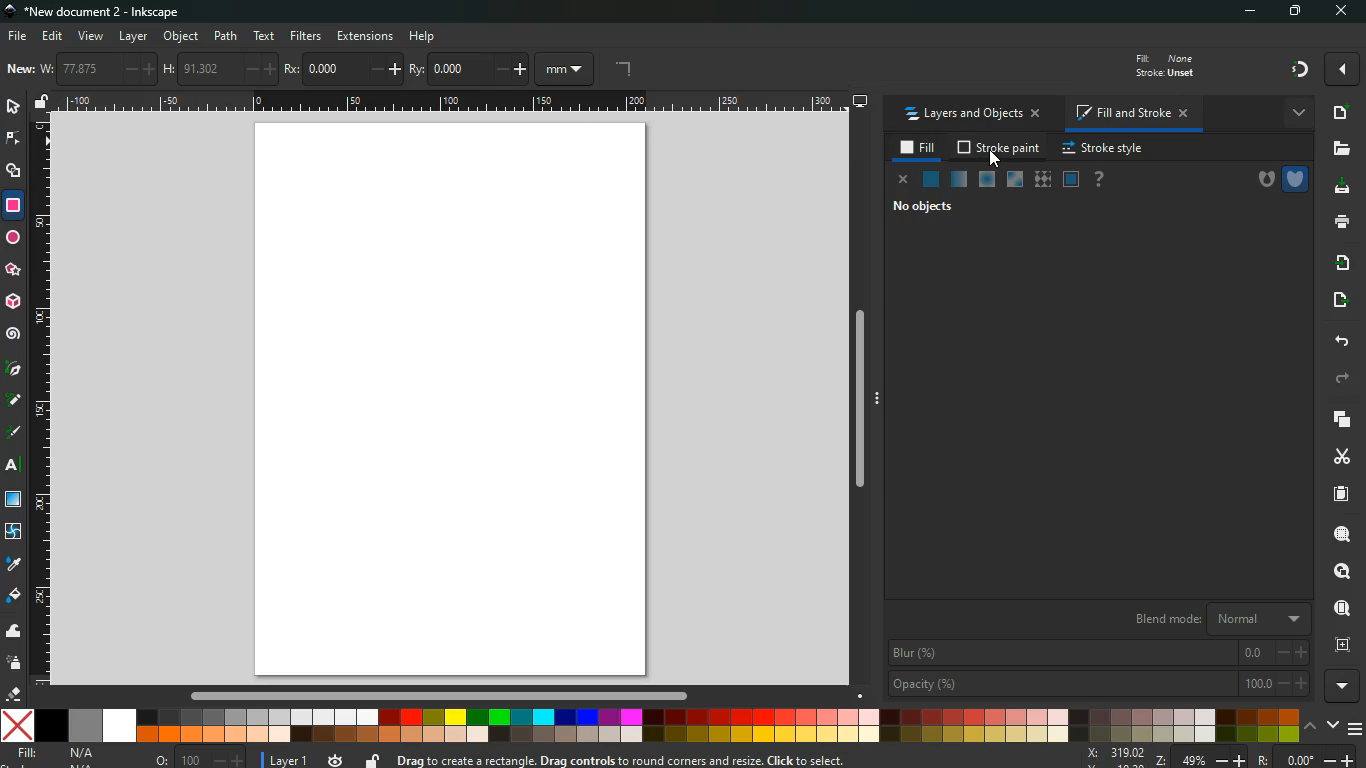 This screenshot has width=1366, height=768. Describe the element at coordinates (853, 102) in the screenshot. I see `desktop` at that location.